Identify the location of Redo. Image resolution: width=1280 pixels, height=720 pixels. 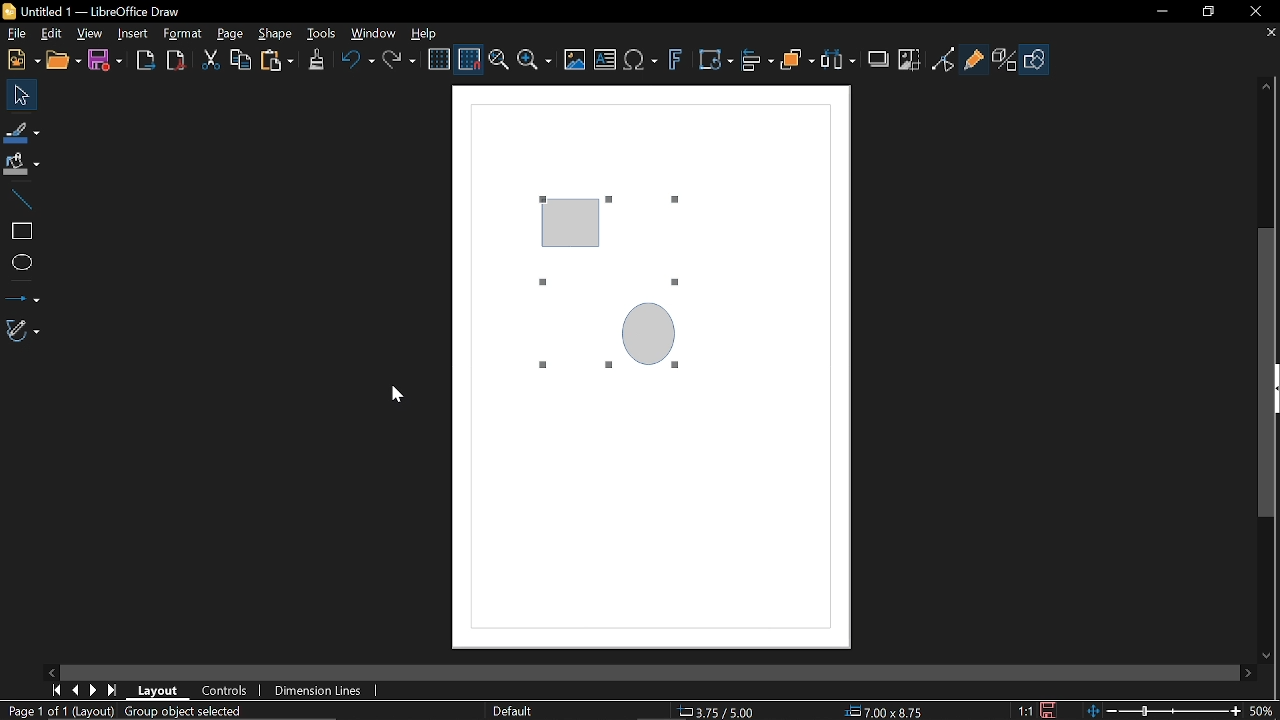
(401, 62).